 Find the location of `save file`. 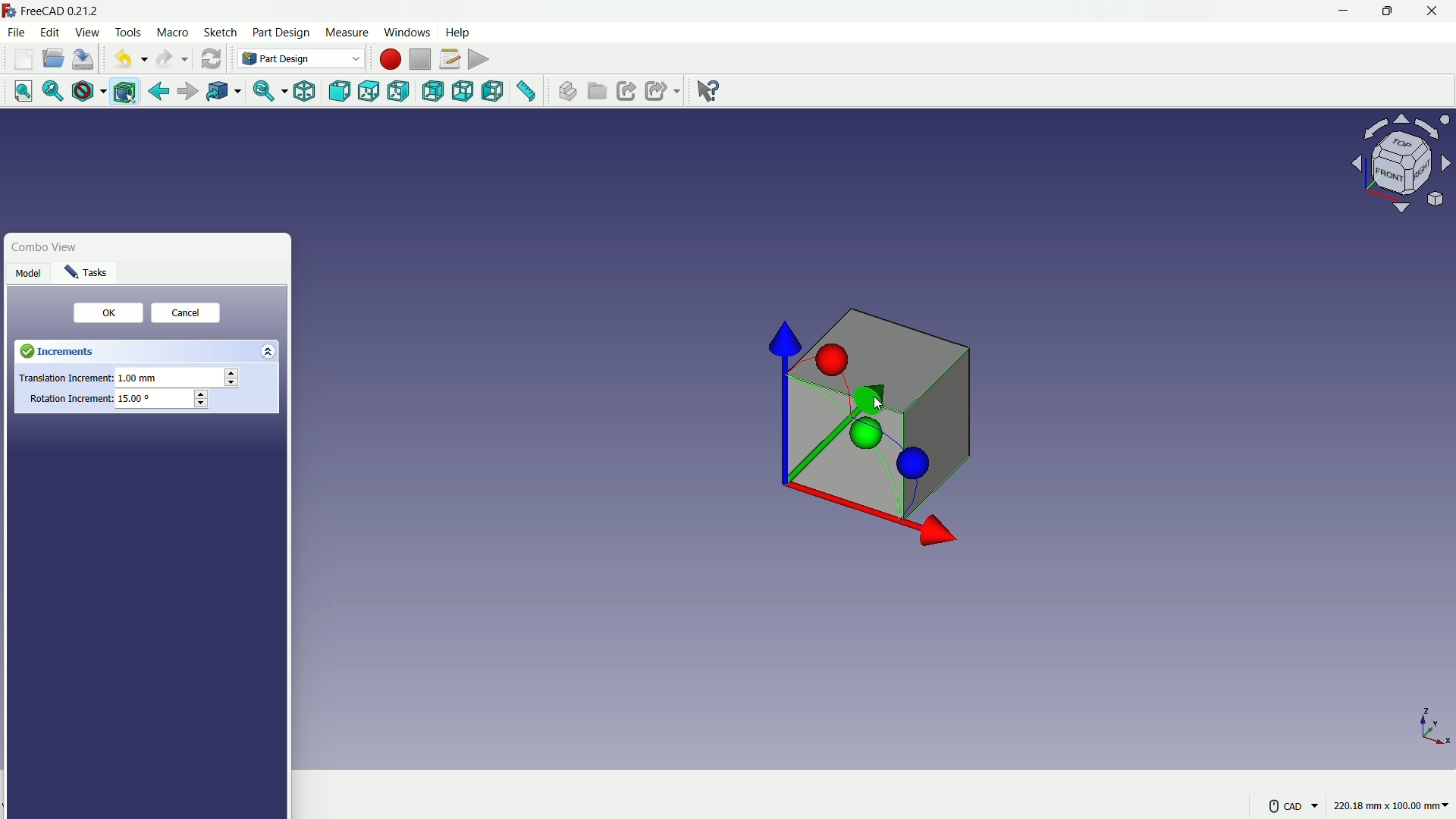

save file is located at coordinates (85, 60).